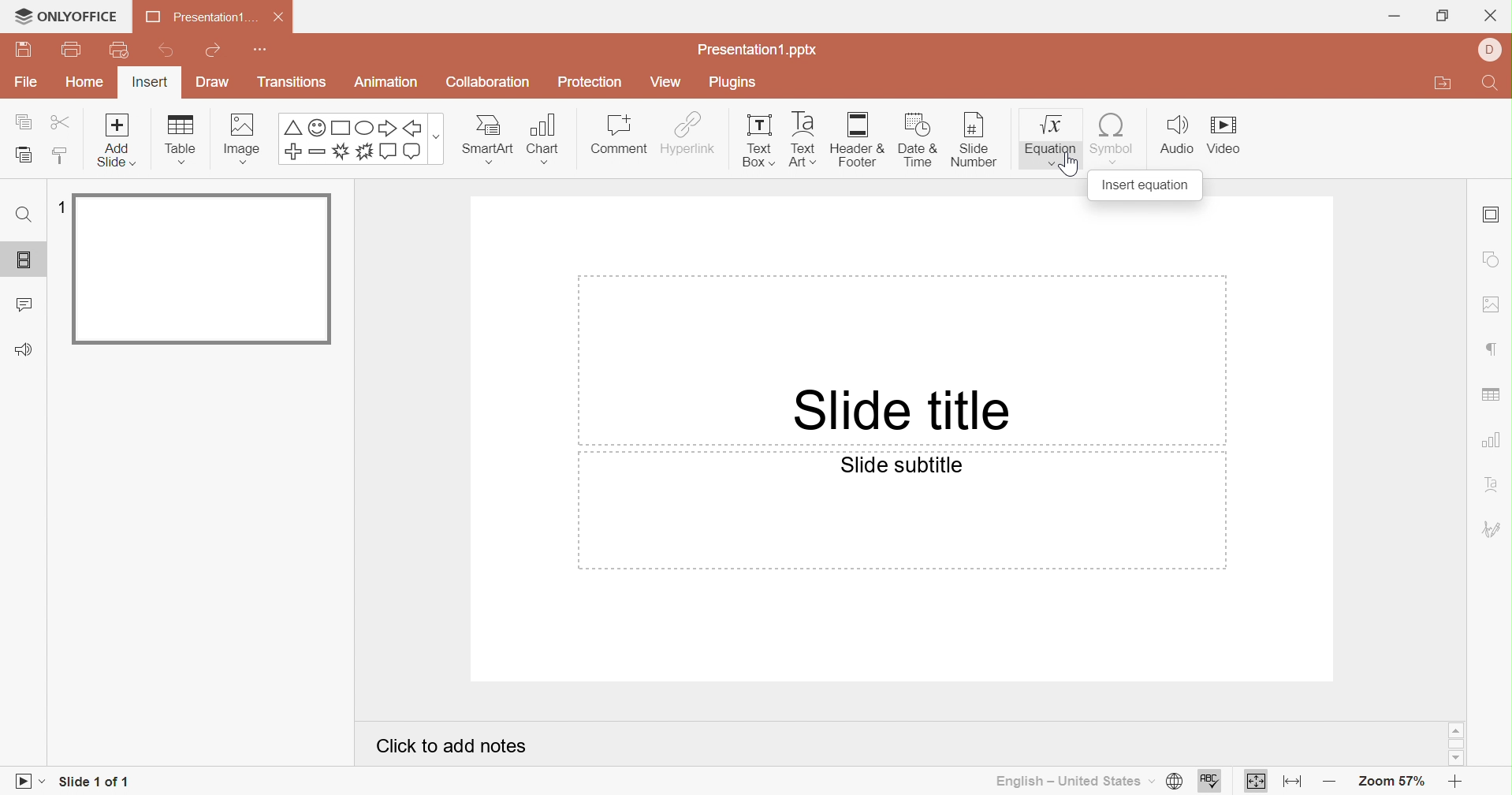  Describe the element at coordinates (1447, 15) in the screenshot. I see `Restore Down` at that location.